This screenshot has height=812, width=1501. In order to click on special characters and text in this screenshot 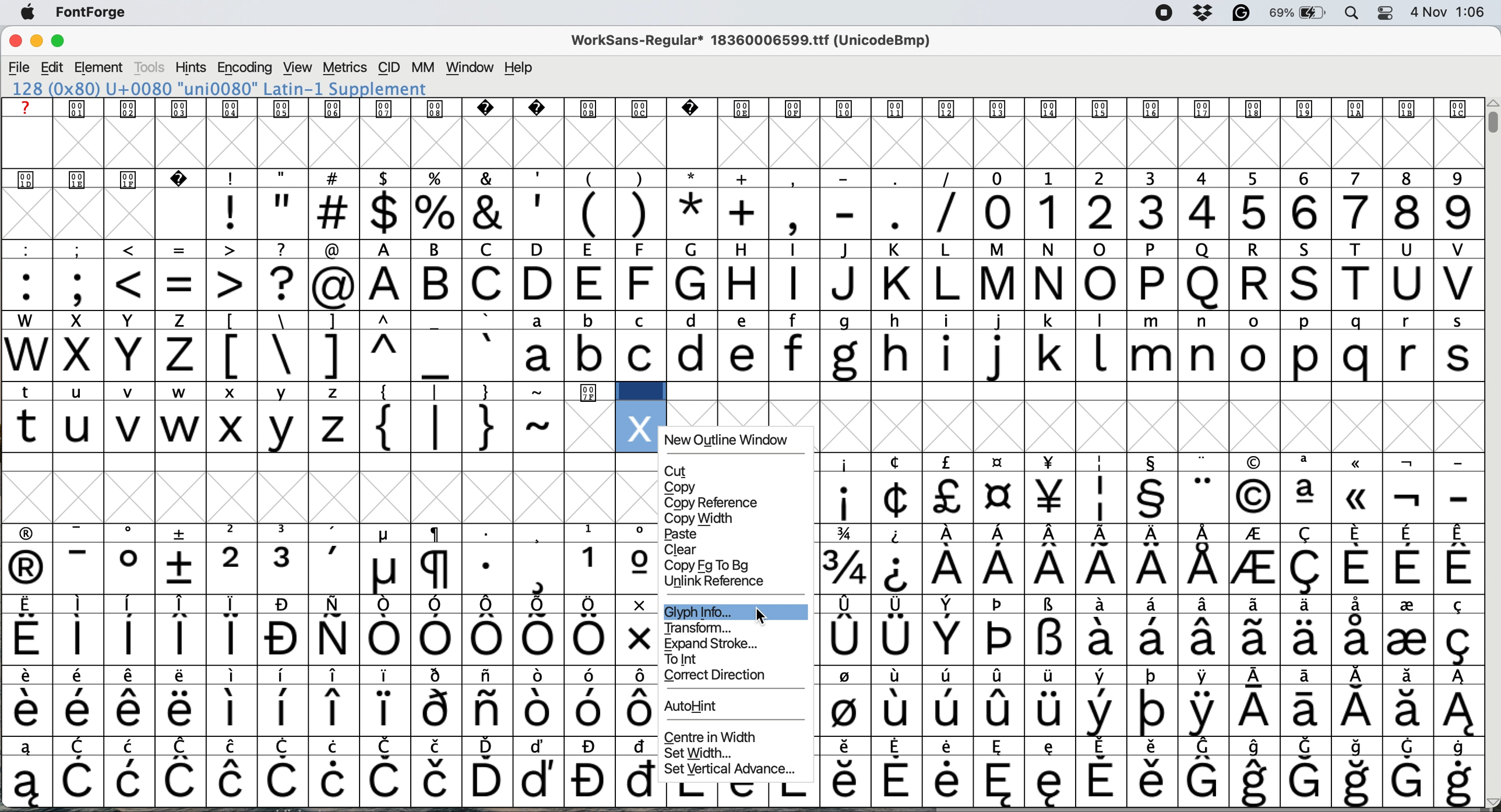, I will do `click(738, 249)`.